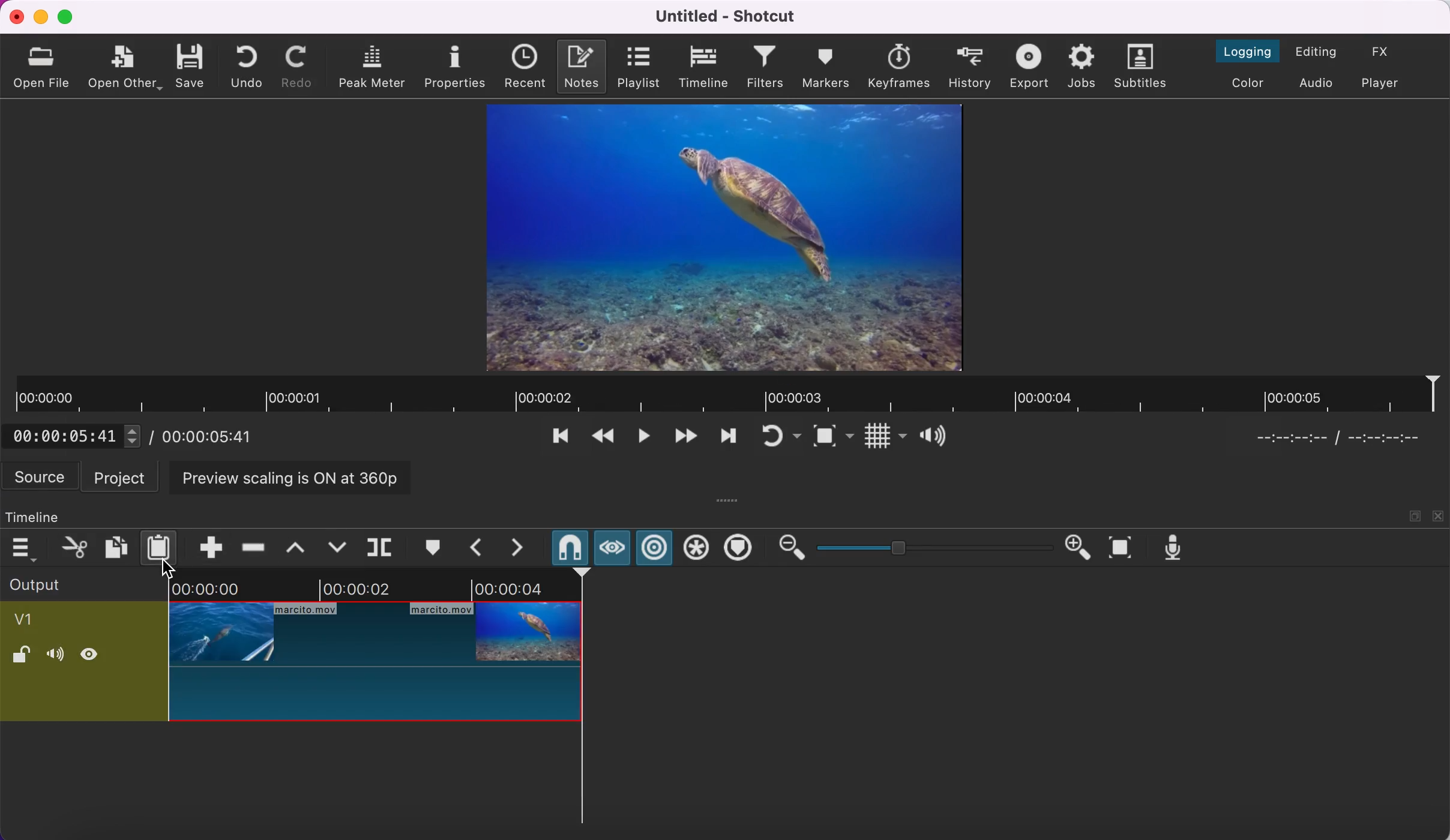  I want to click on , so click(831, 436).